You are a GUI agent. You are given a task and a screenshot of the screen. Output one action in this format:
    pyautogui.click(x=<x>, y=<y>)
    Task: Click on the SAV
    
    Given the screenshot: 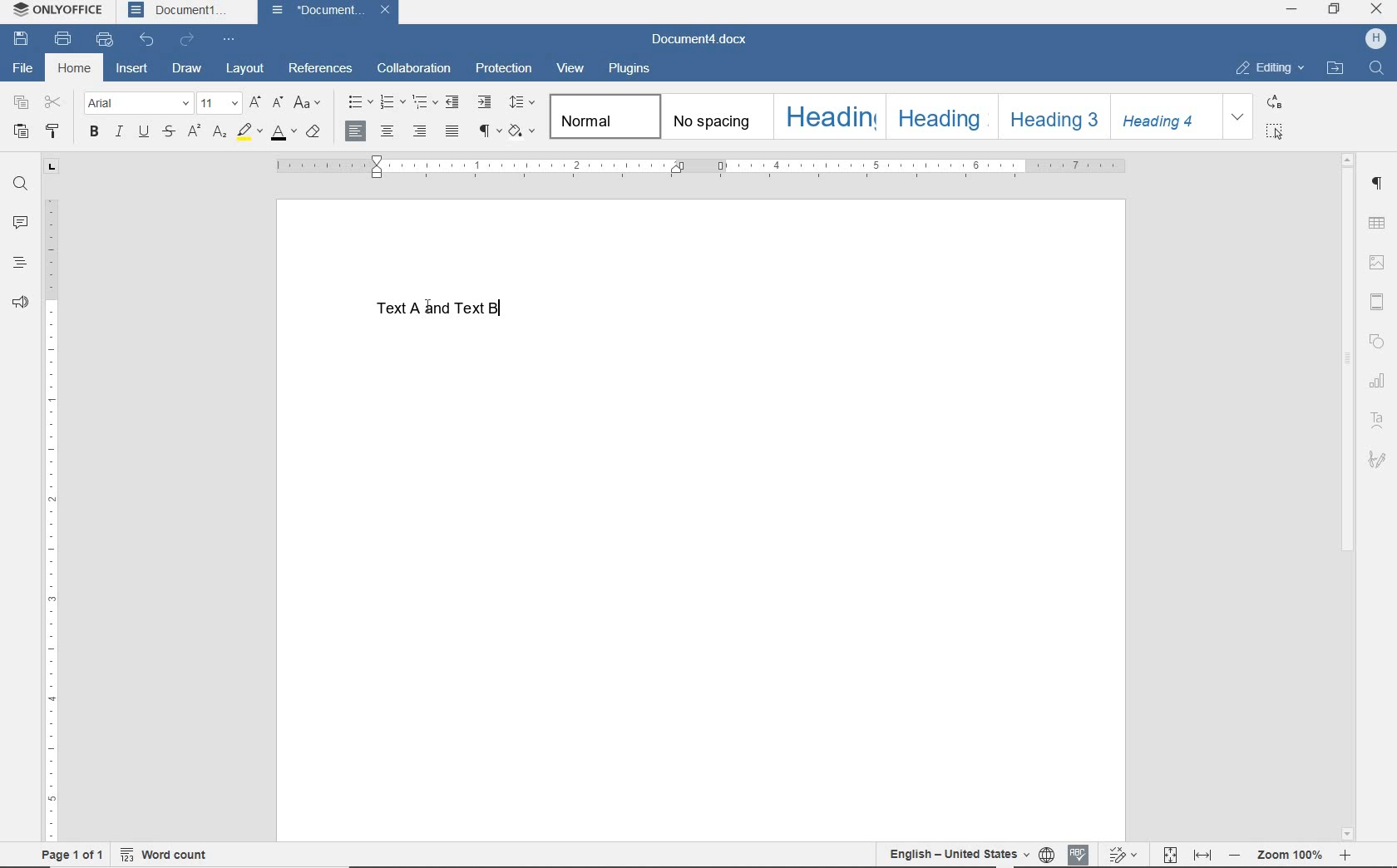 What is the action you would take?
    pyautogui.click(x=18, y=40)
    